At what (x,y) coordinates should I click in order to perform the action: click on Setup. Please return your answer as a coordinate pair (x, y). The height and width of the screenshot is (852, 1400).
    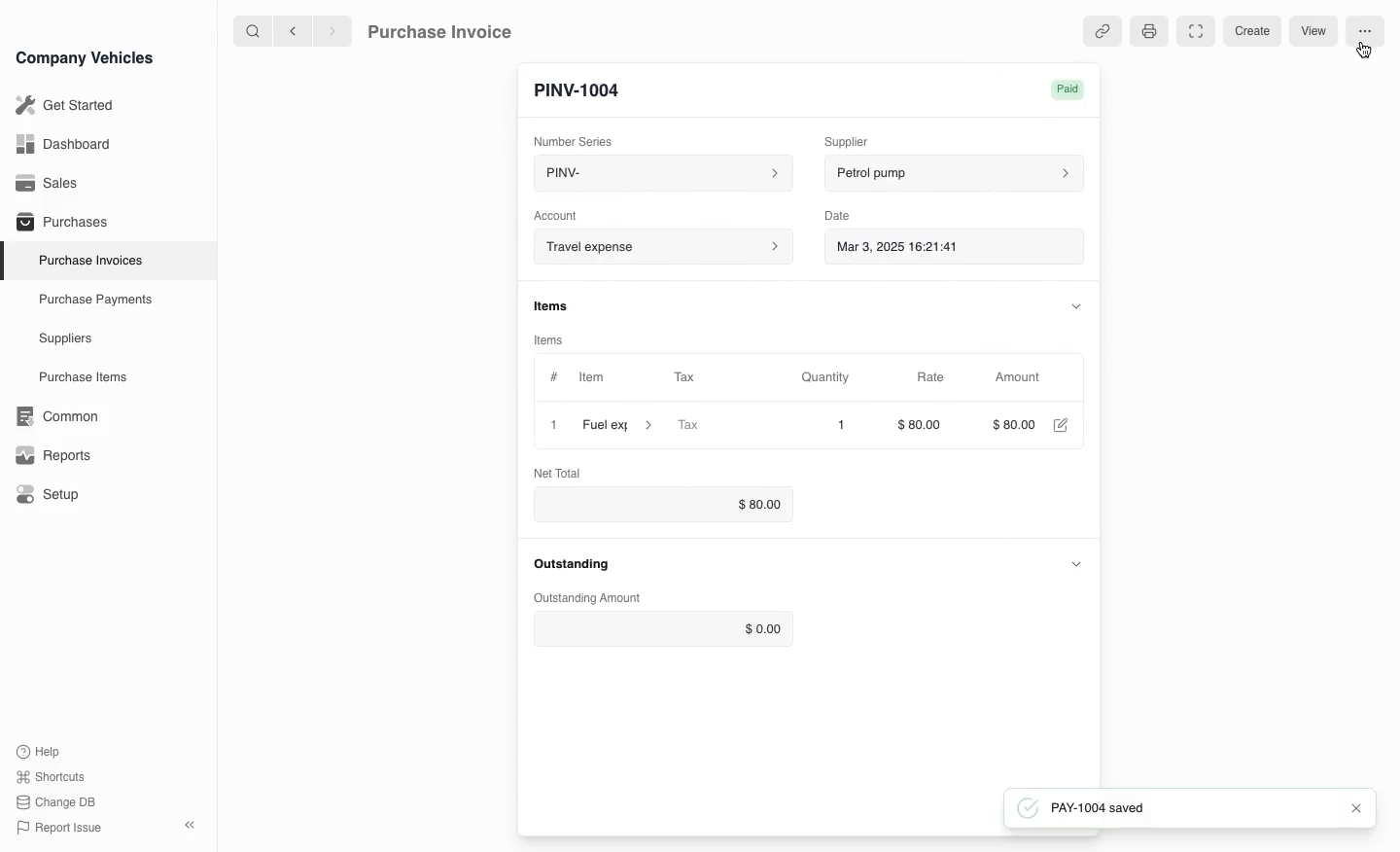
    Looking at the image, I should click on (52, 495).